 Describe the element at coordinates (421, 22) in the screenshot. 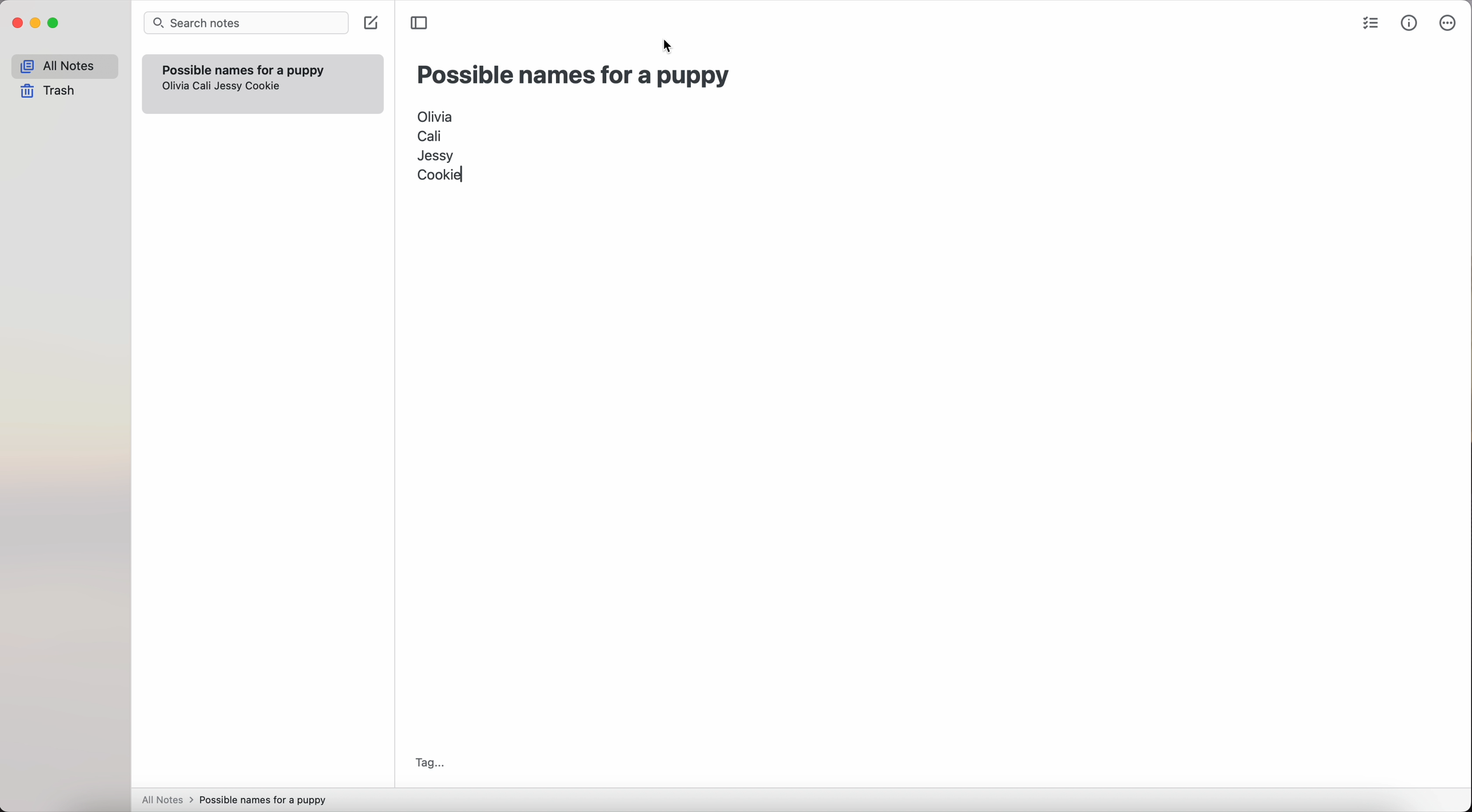

I see `toggle sidebar` at that location.